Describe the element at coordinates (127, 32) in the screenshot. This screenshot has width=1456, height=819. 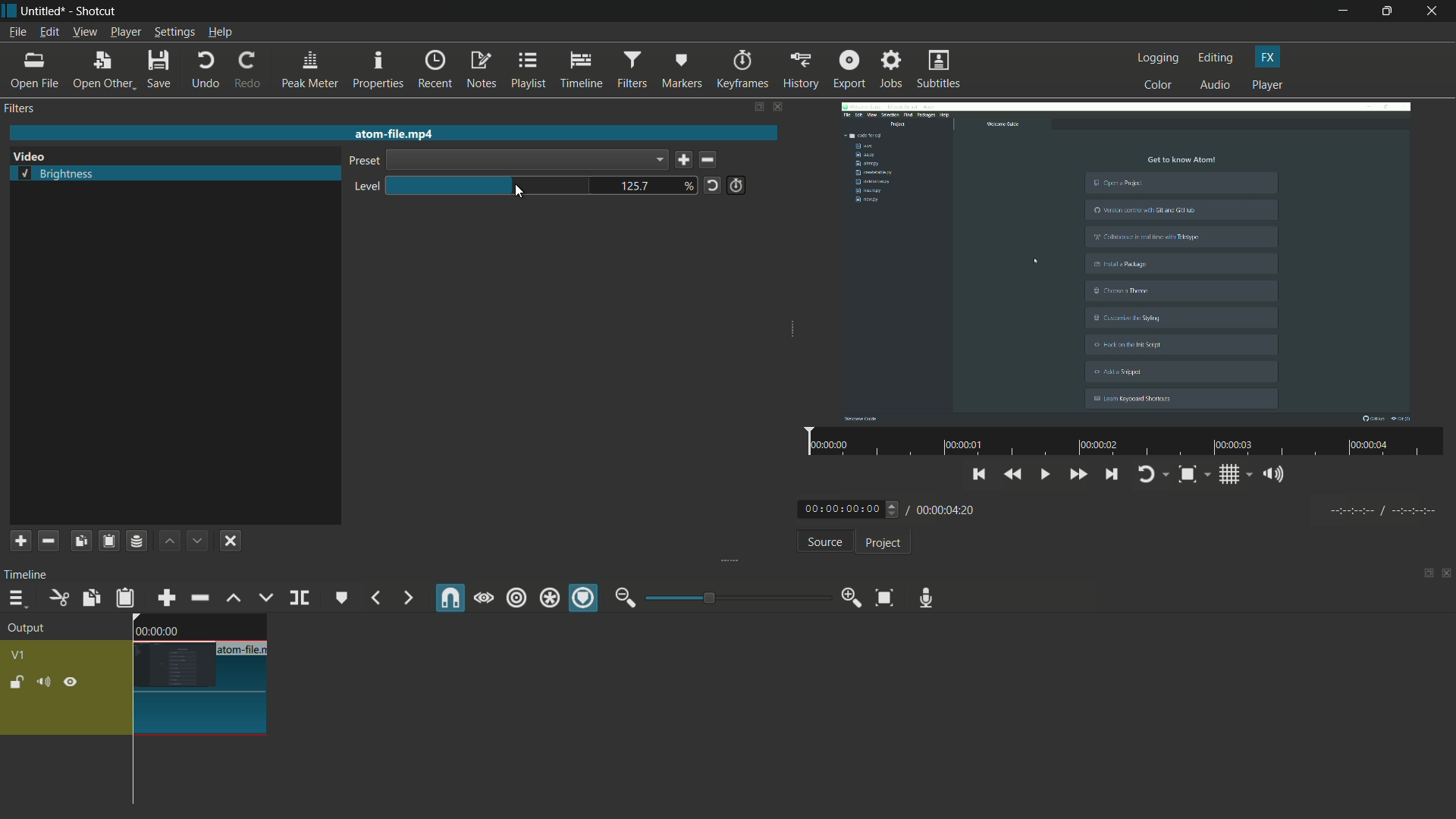
I see `player menu` at that location.